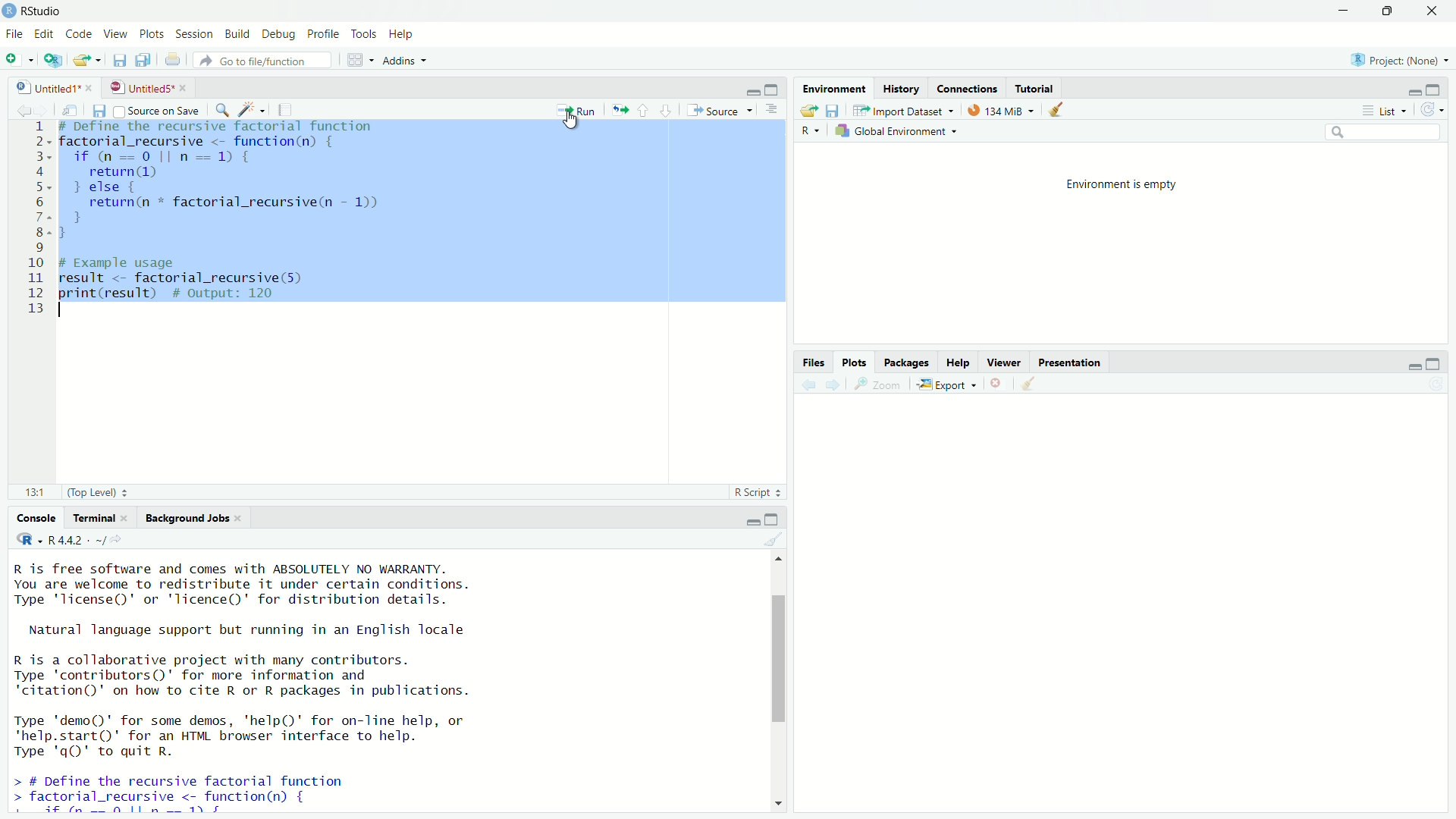 Image resolution: width=1456 pixels, height=819 pixels. Describe the element at coordinates (1006, 360) in the screenshot. I see `Viewer` at that location.